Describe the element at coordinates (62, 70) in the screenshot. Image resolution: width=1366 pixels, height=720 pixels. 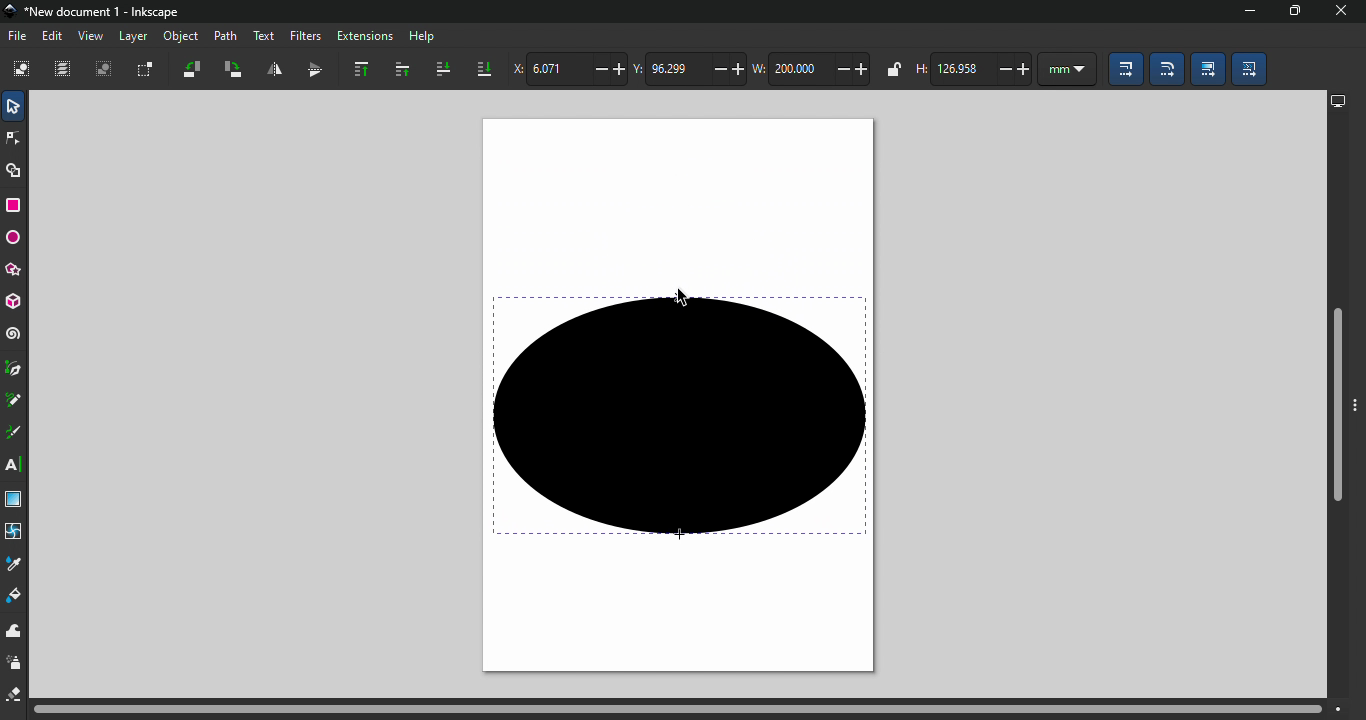
I see `Select all in all layers` at that location.